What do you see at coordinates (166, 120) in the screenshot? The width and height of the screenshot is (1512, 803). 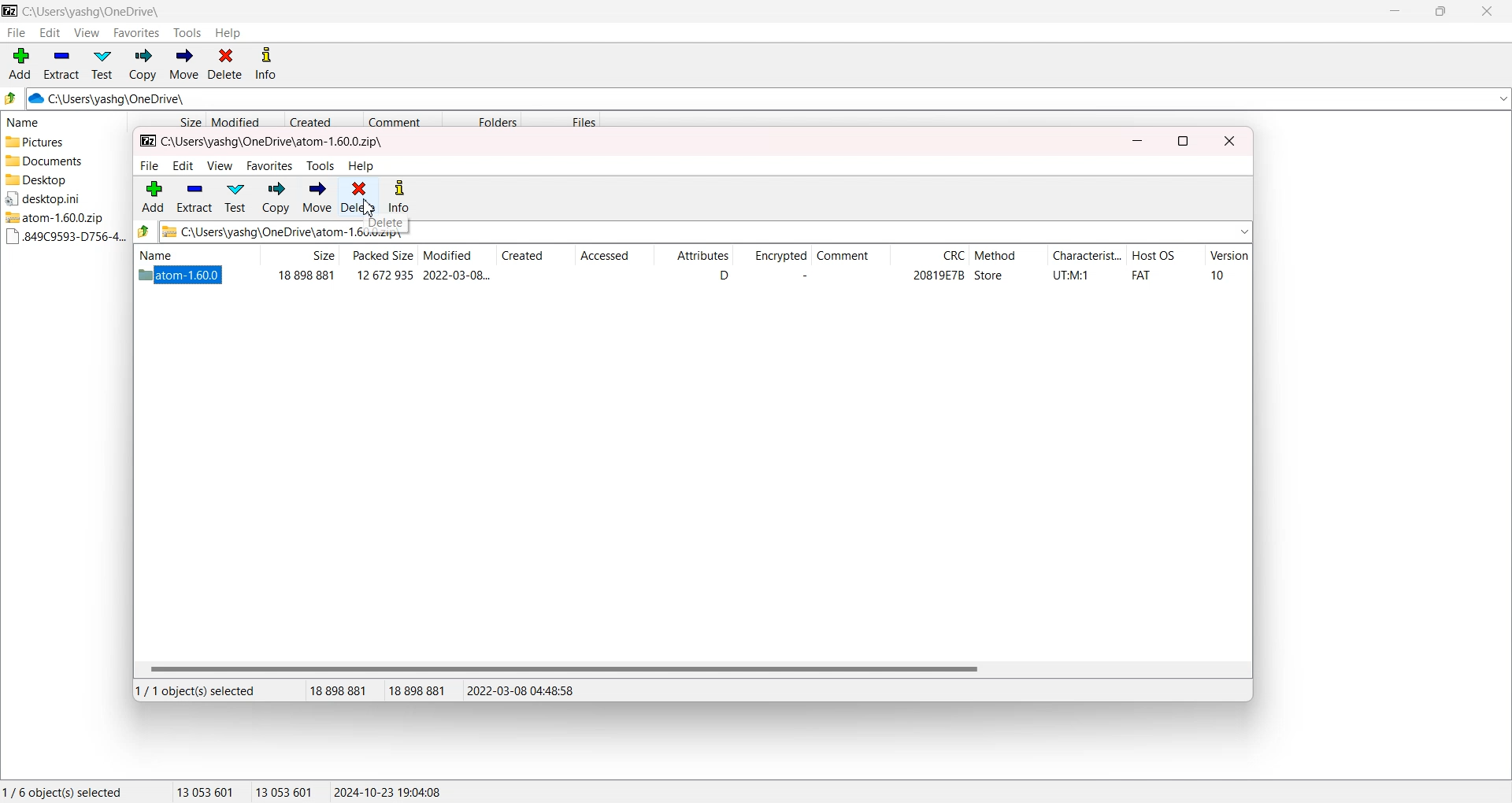 I see `Size` at bounding box center [166, 120].